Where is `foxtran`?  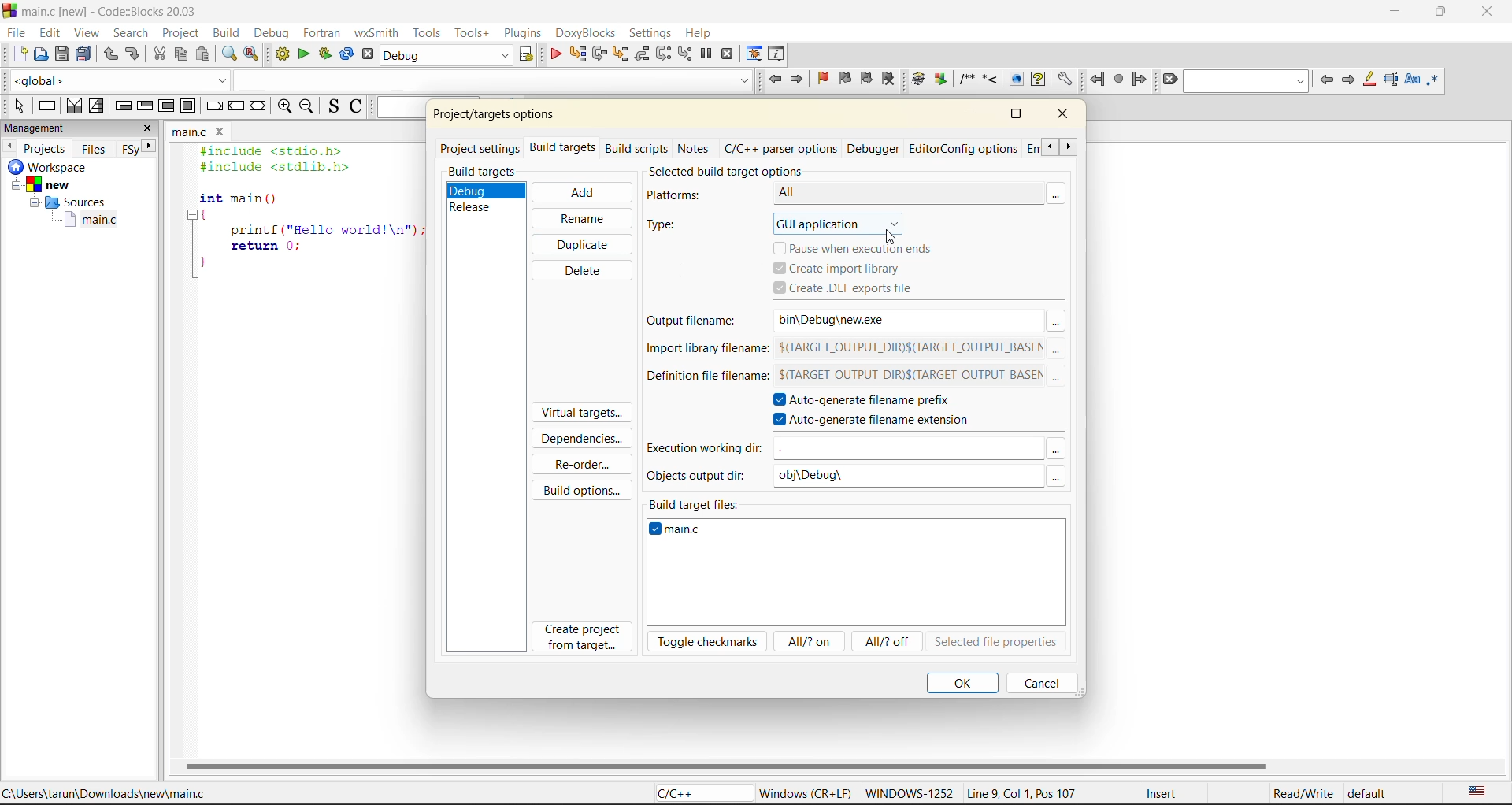 foxtran is located at coordinates (324, 34).